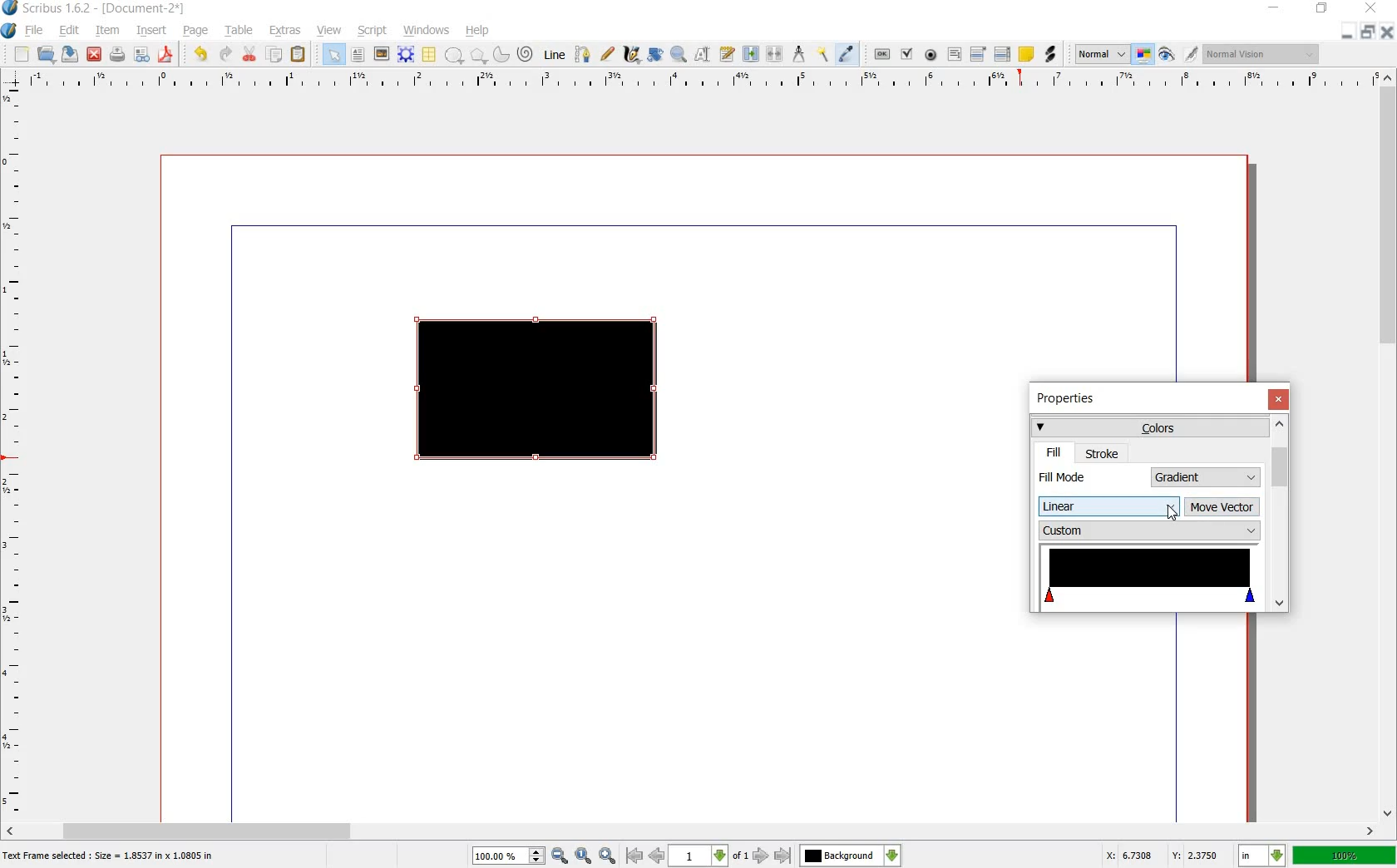 The image size is (1397, 868). I want to click on calligraphic line, so click(631, 53).